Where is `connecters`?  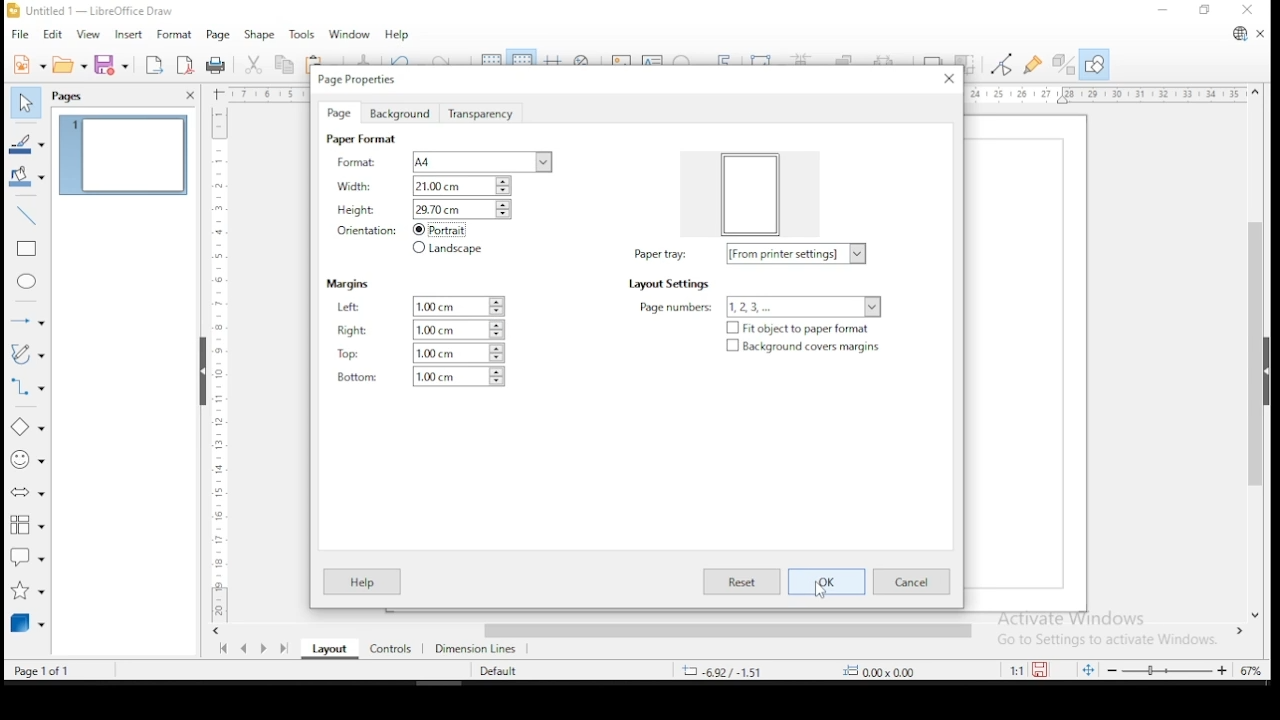
connecters is located at coordinates (26, 389).